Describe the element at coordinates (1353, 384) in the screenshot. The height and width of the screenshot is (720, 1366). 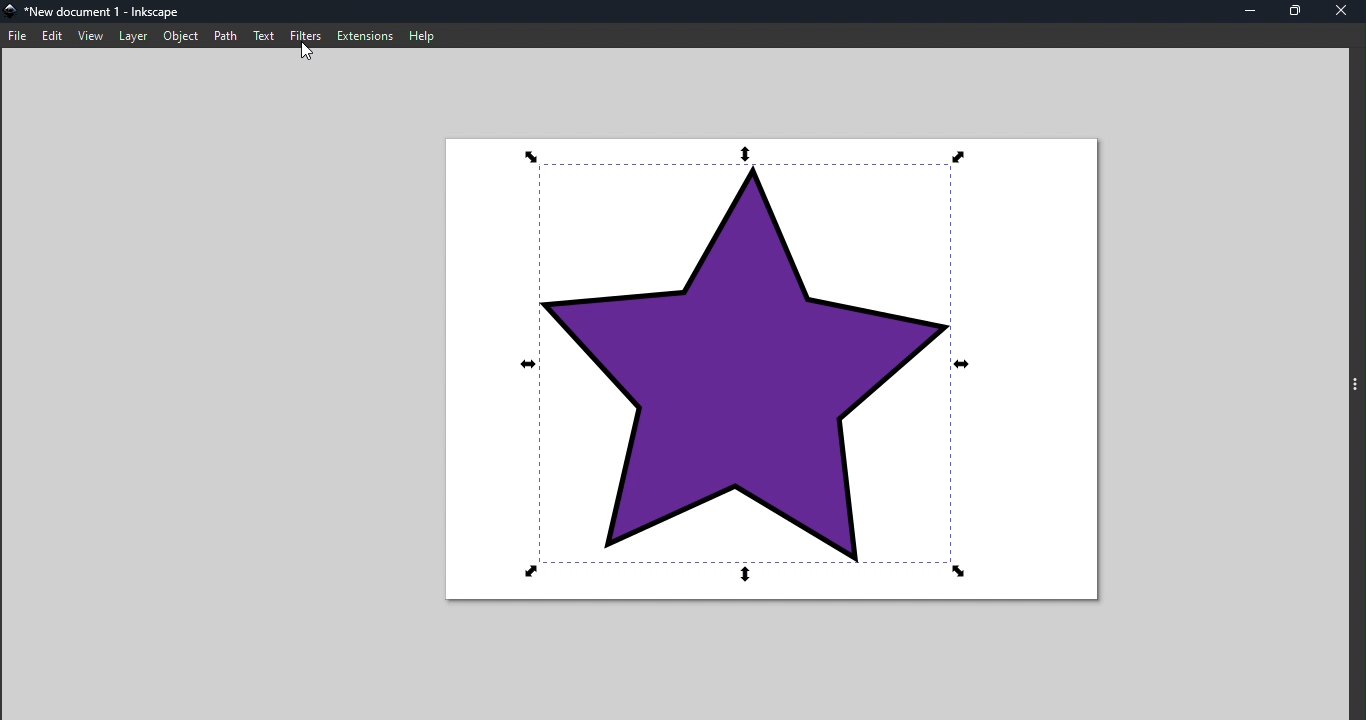
I see `Toggle command panel` at that location.